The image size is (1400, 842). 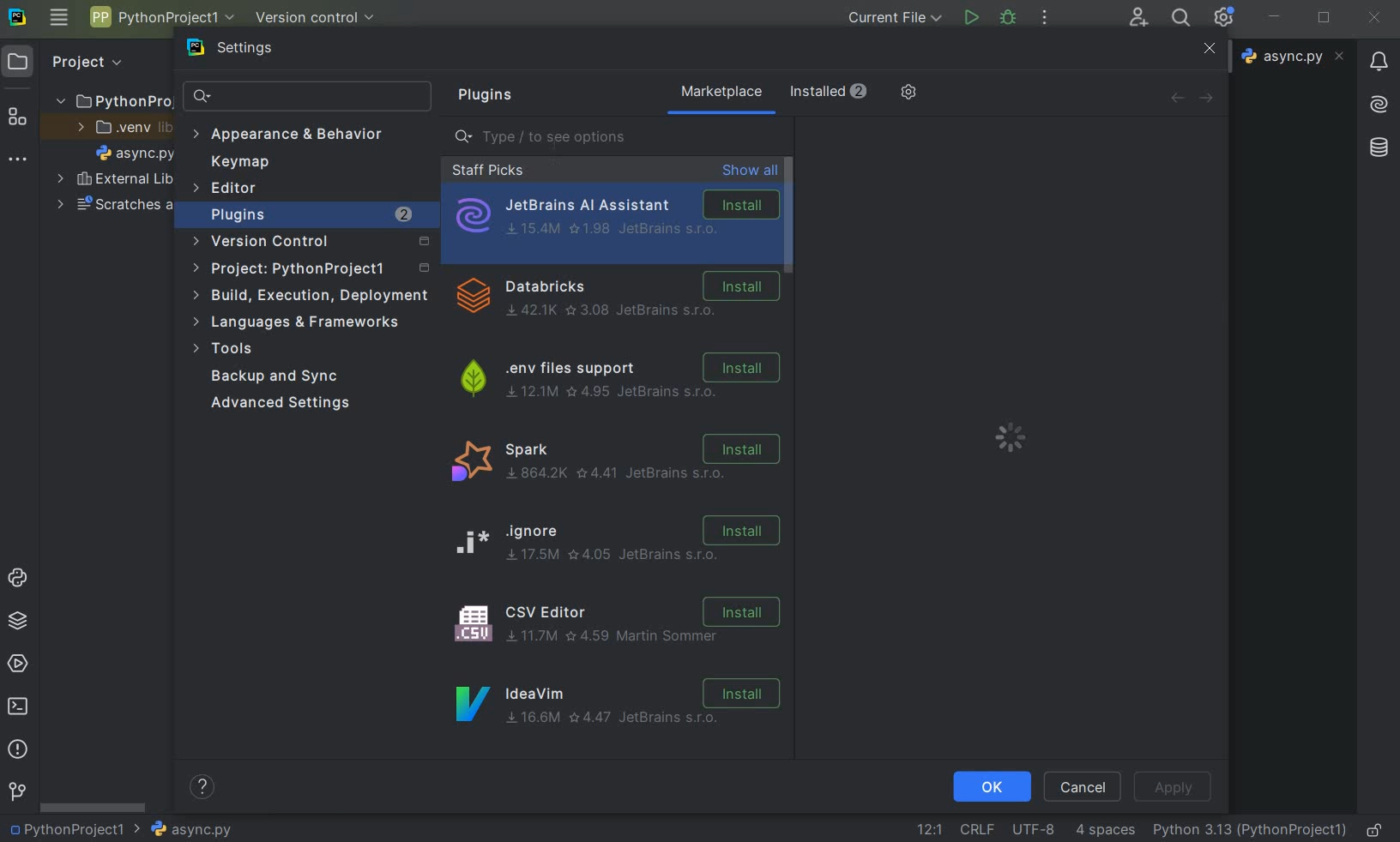 I want to click on problems, so click(x=17, y=749).